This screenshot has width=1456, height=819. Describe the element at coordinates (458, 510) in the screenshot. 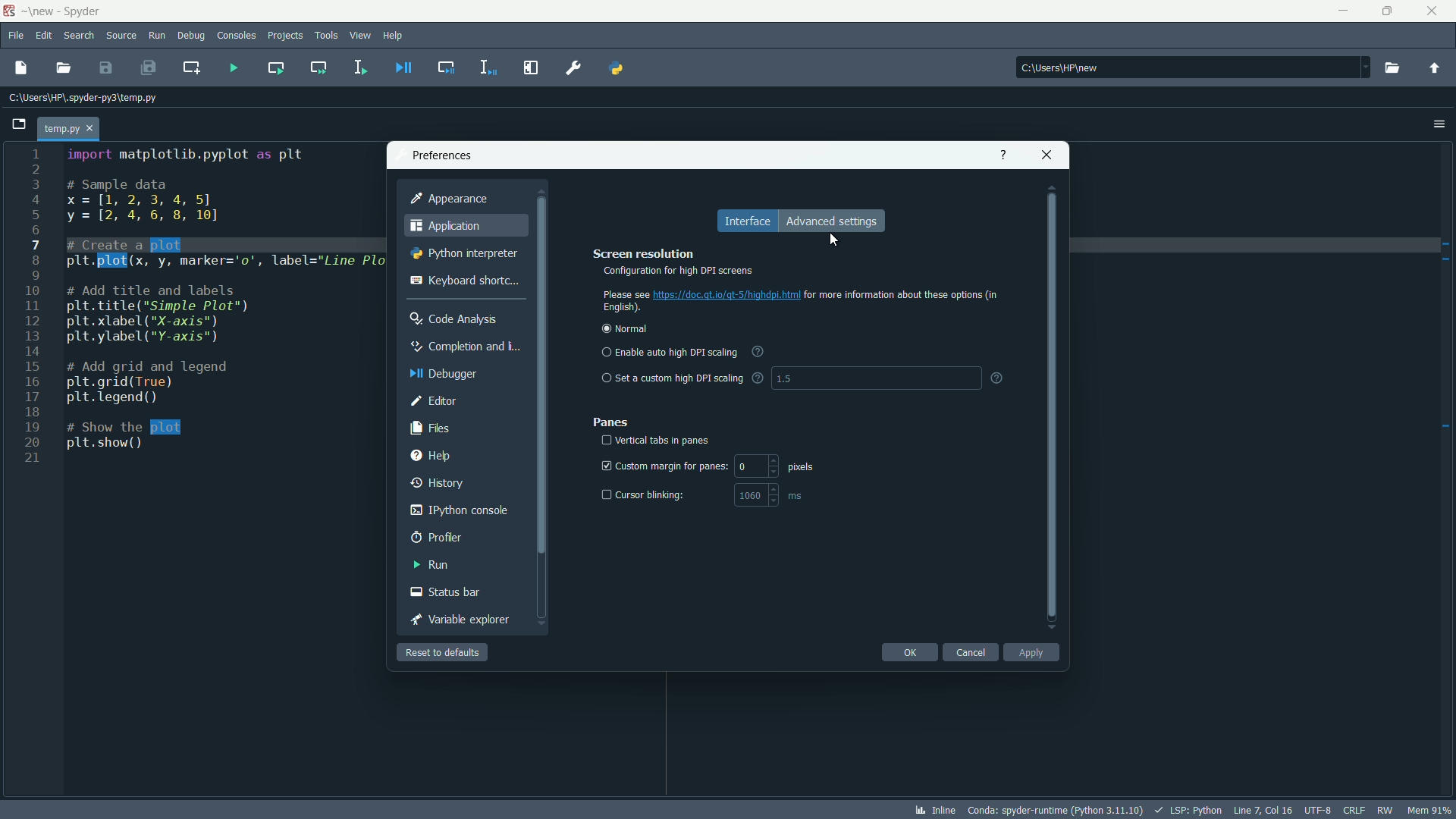

I see `ipython console` at that location.